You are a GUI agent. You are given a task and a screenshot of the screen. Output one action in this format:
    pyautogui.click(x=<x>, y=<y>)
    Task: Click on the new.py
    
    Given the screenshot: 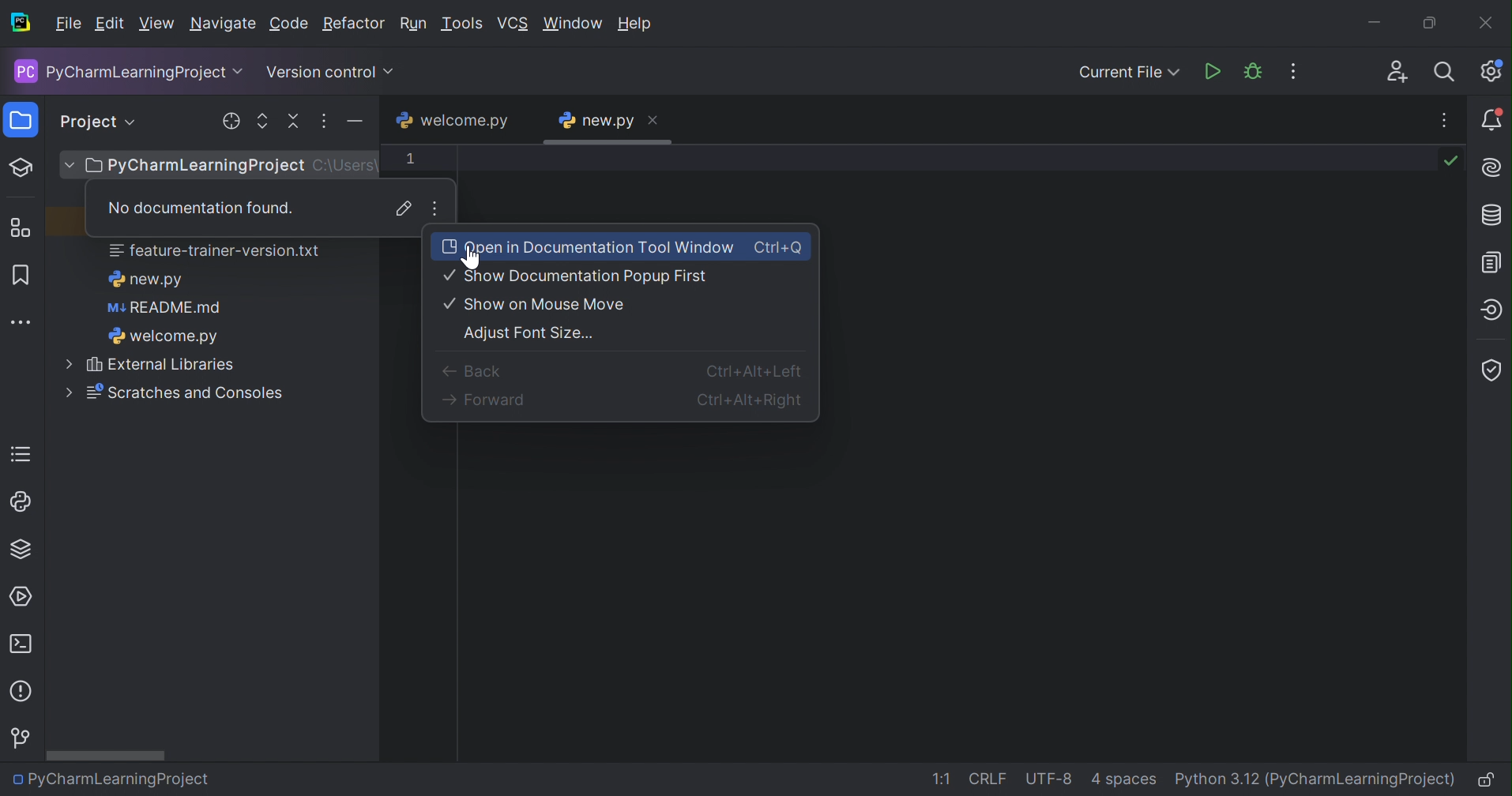 What is the action you would take?
    pyautogui.click(x=596, y=120)
    